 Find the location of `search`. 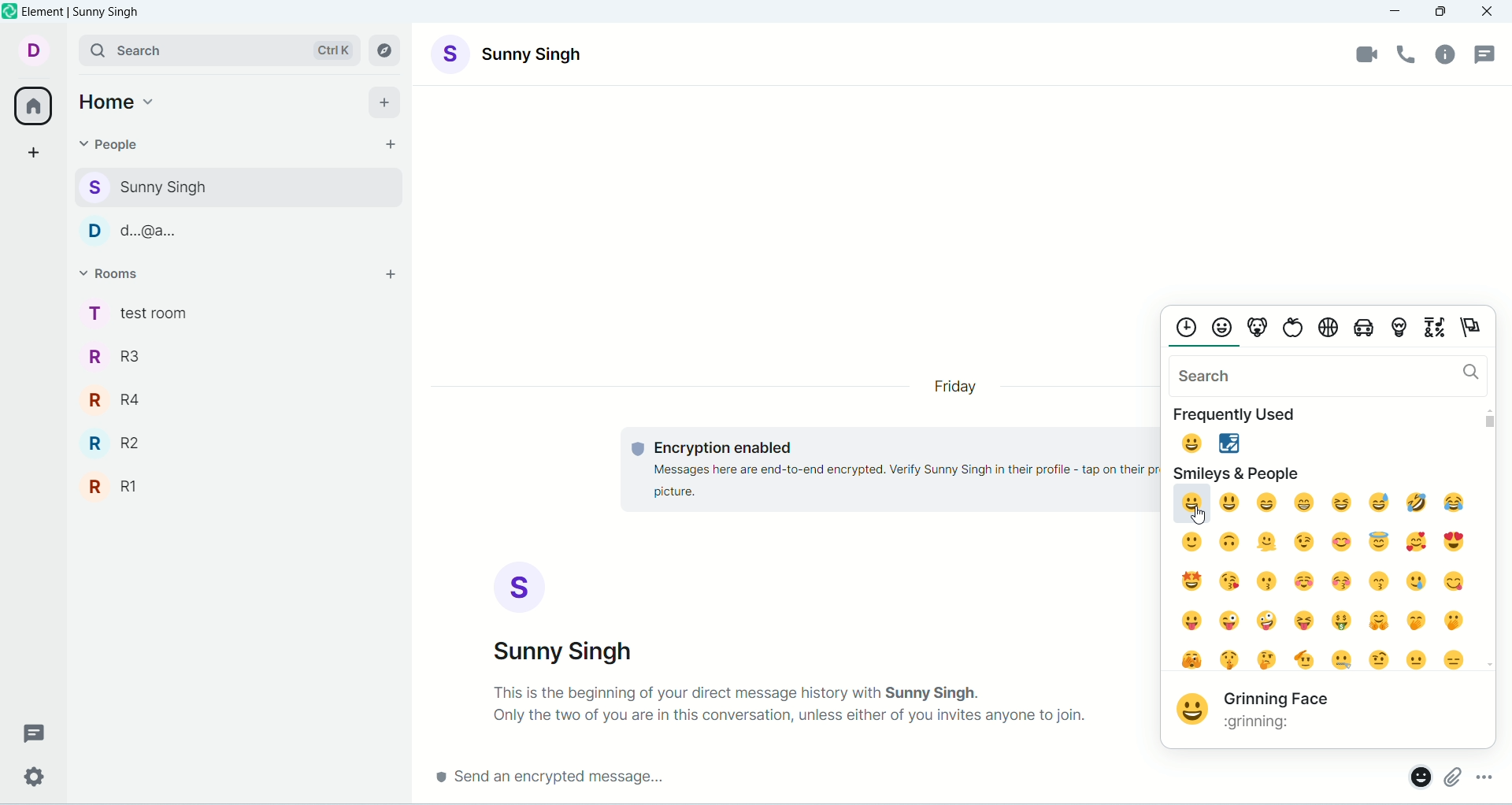

search is located at coordinates (218, 50).